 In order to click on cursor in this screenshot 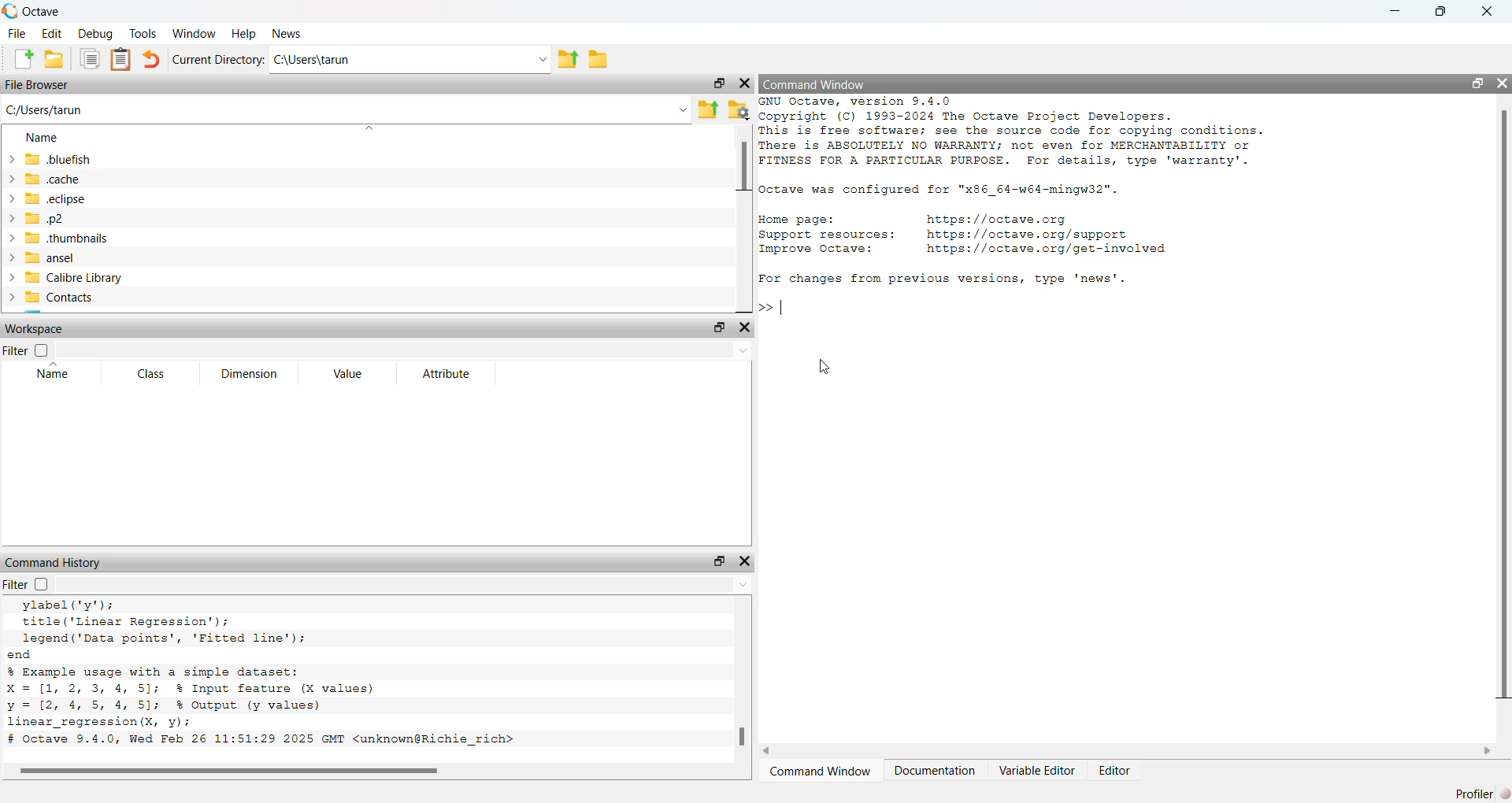, I will do `click(825, 364)`.